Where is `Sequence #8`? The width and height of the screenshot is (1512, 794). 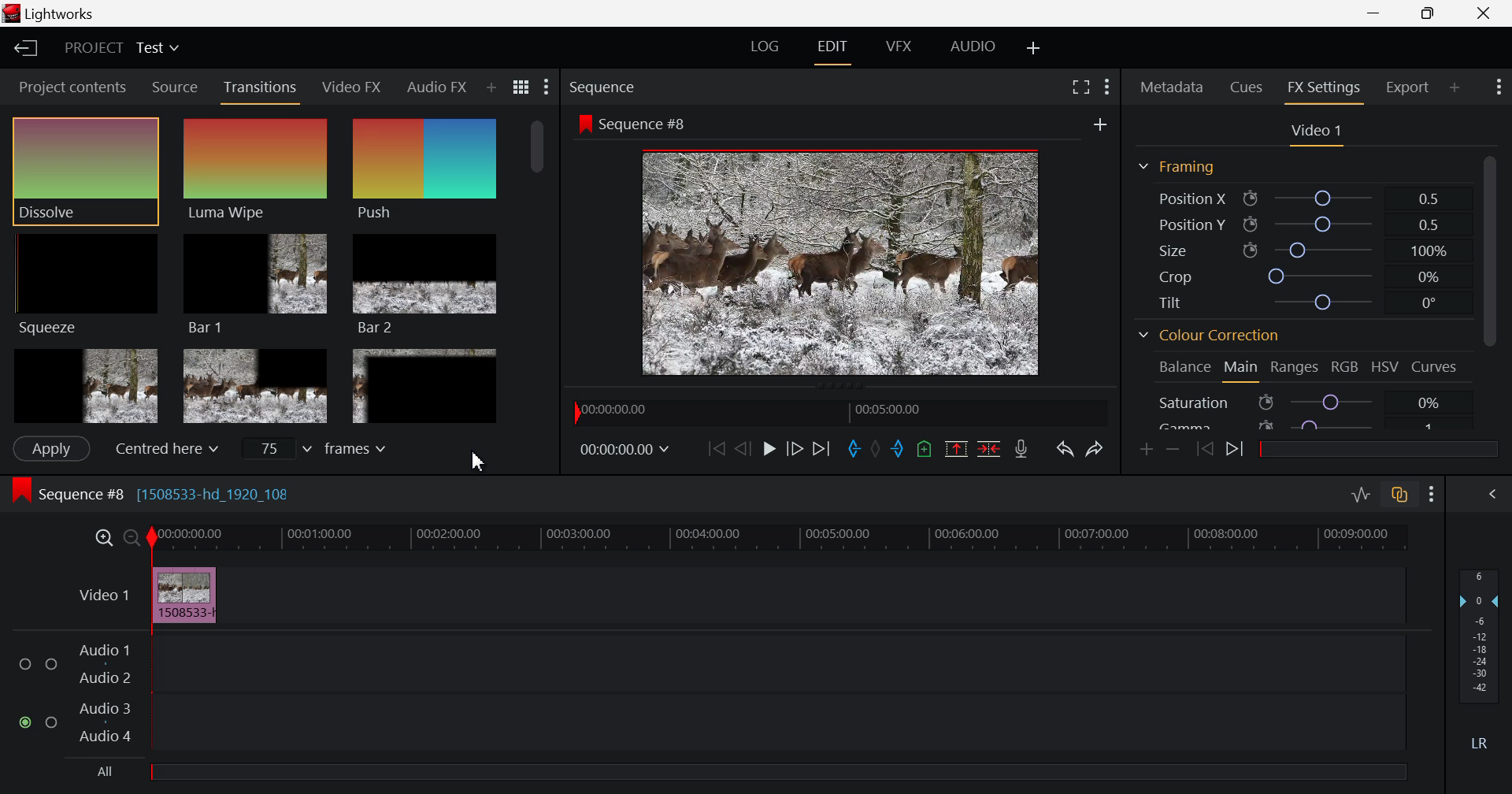 Sequence #8 is located at coordinates (649, 125).